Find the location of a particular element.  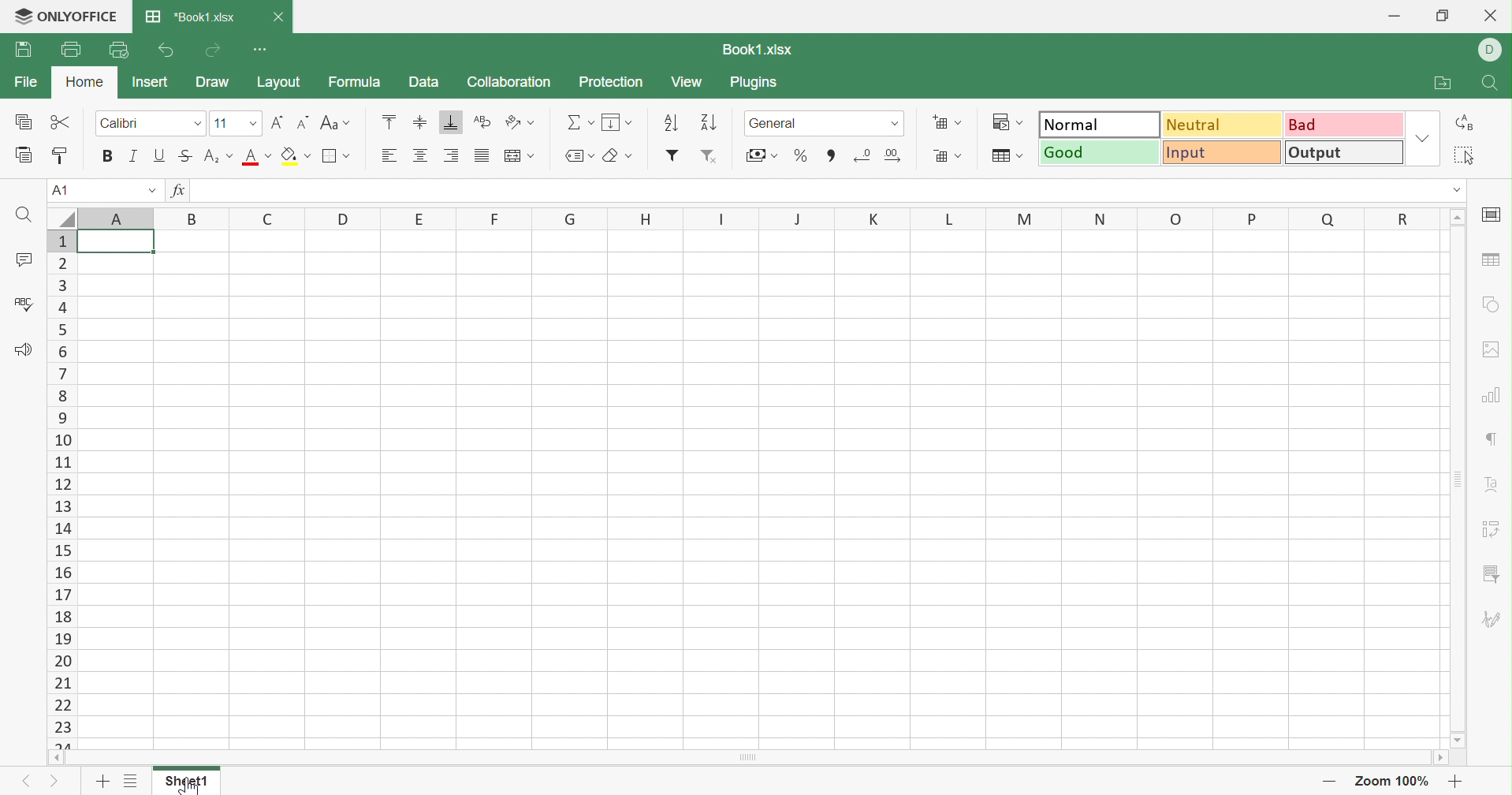

Table settings is located at coordinates (1491, 256).